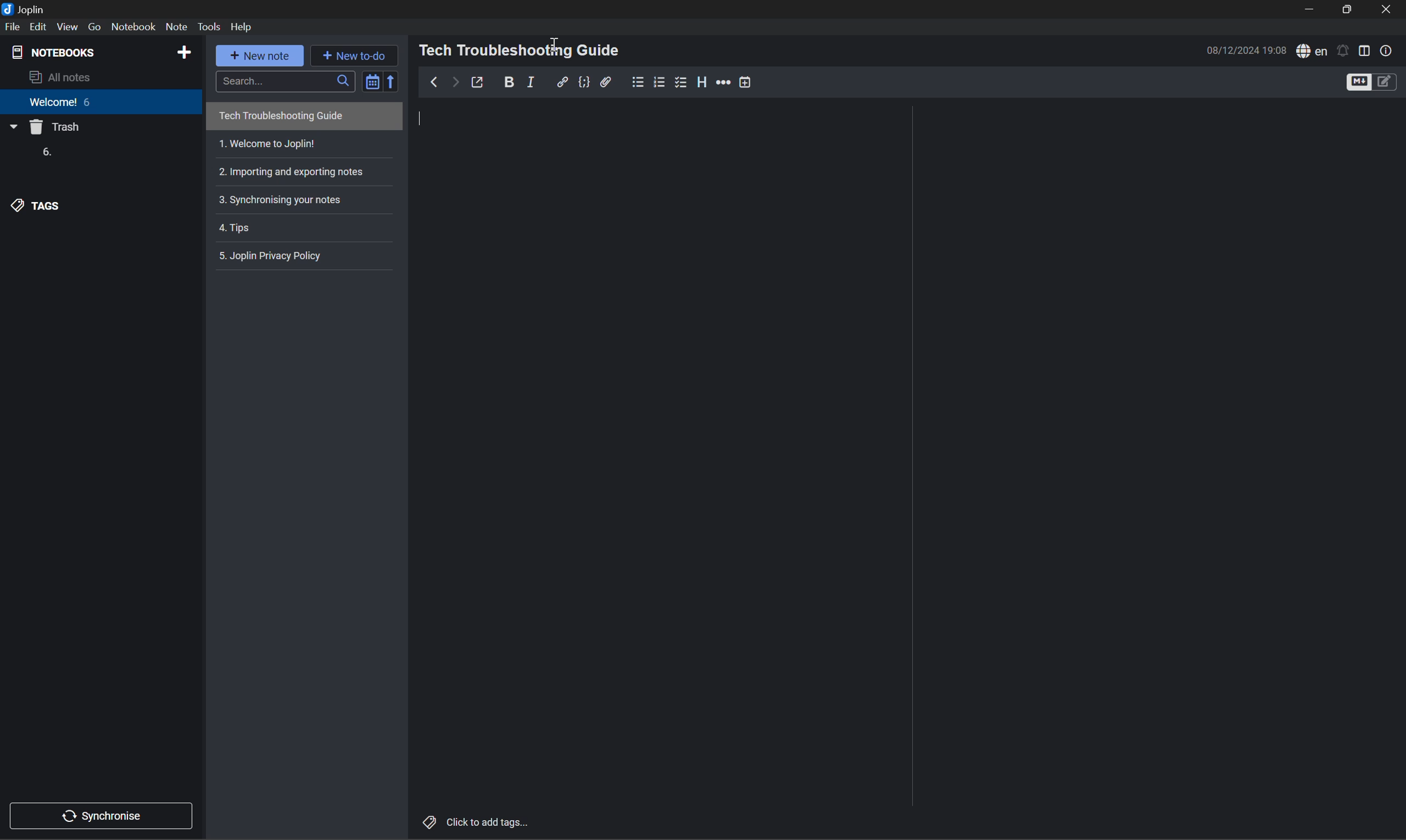 The height and width of the screenshot is (840, 1406). I want to click on Reverse sort order, so click(394, 81).